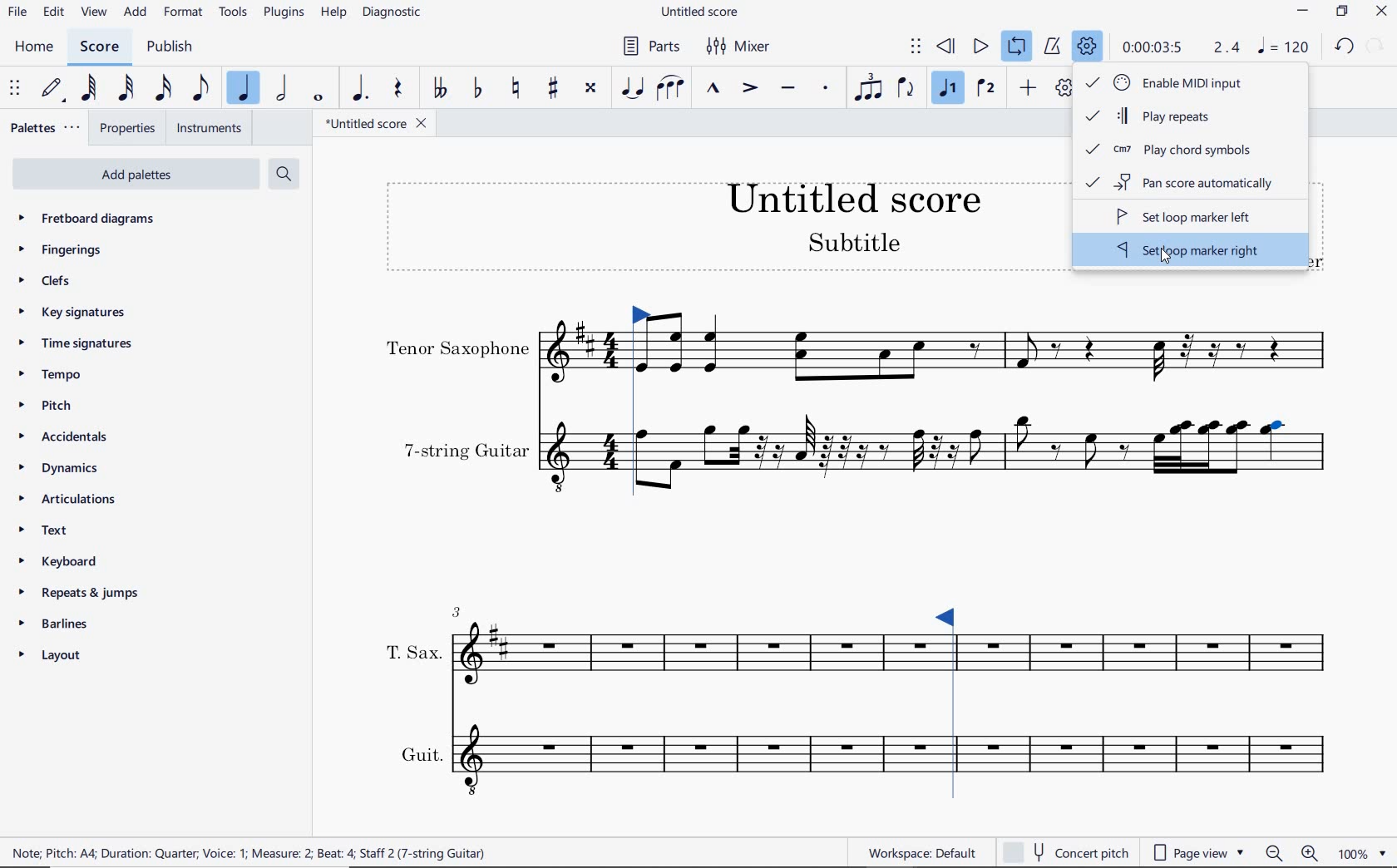 The image size is (1397, 868). What do you see at coordinates (866, 88) in the screenshot?
I see `TUPLET` at bounding box center [866, 88].